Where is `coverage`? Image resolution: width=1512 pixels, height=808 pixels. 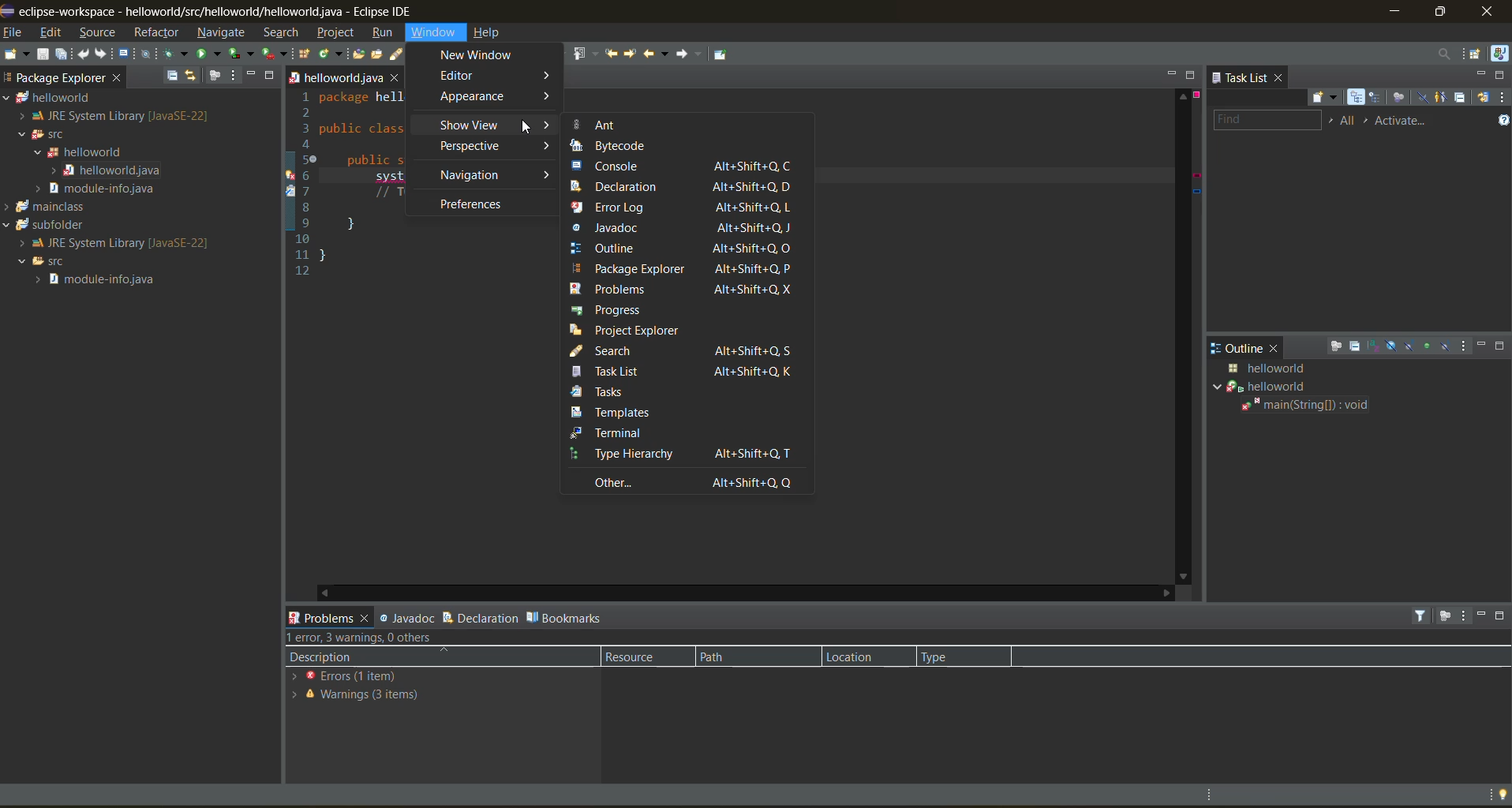
coverage is located at coordinates (241, 55).